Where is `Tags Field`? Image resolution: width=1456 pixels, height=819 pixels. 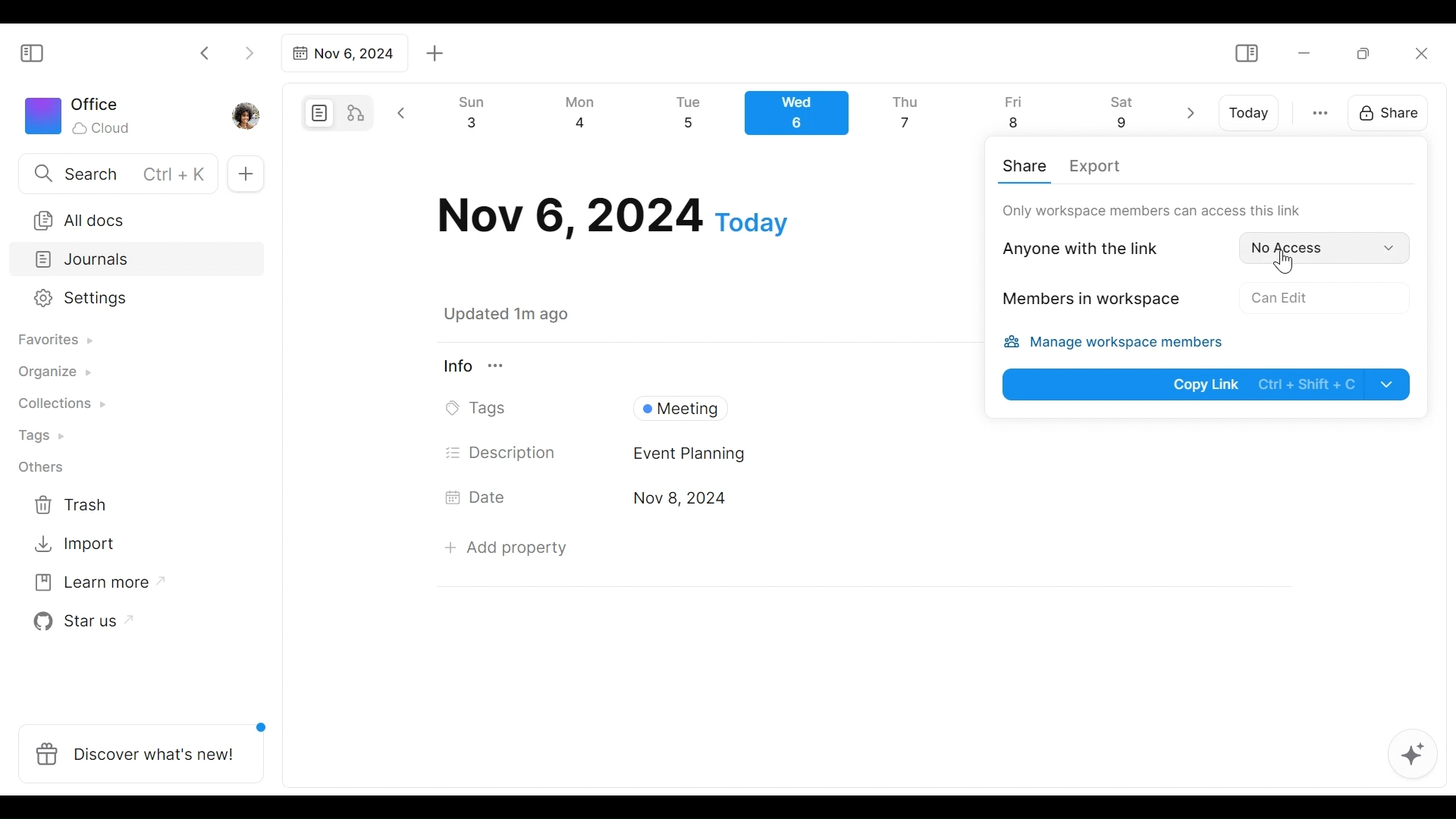
Tags Field is located at coordinates (795, 405).